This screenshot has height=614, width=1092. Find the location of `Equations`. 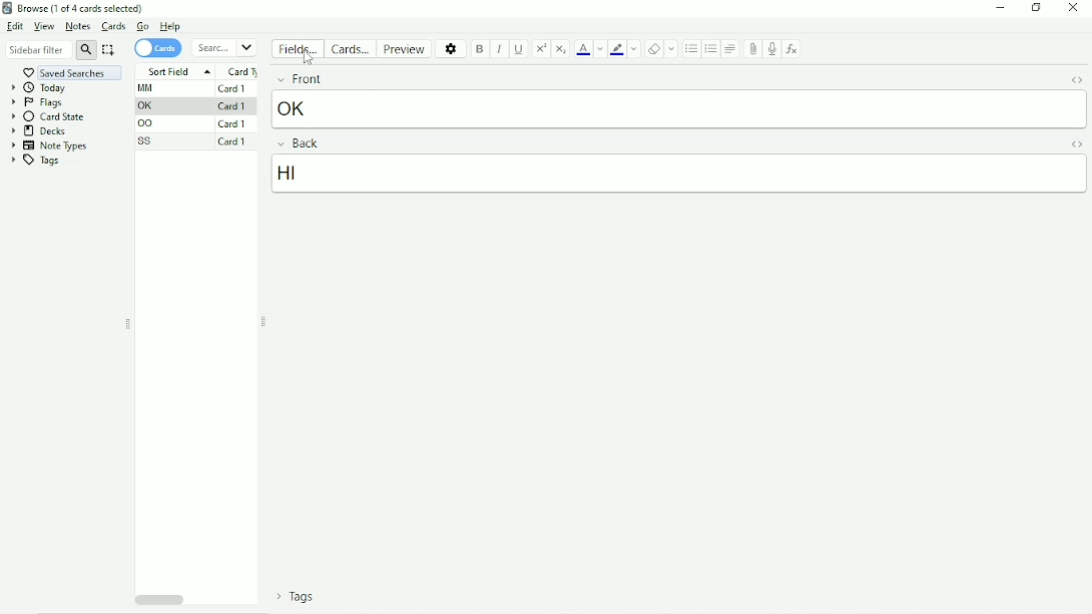

Equations is located at coordinates (793, 49).